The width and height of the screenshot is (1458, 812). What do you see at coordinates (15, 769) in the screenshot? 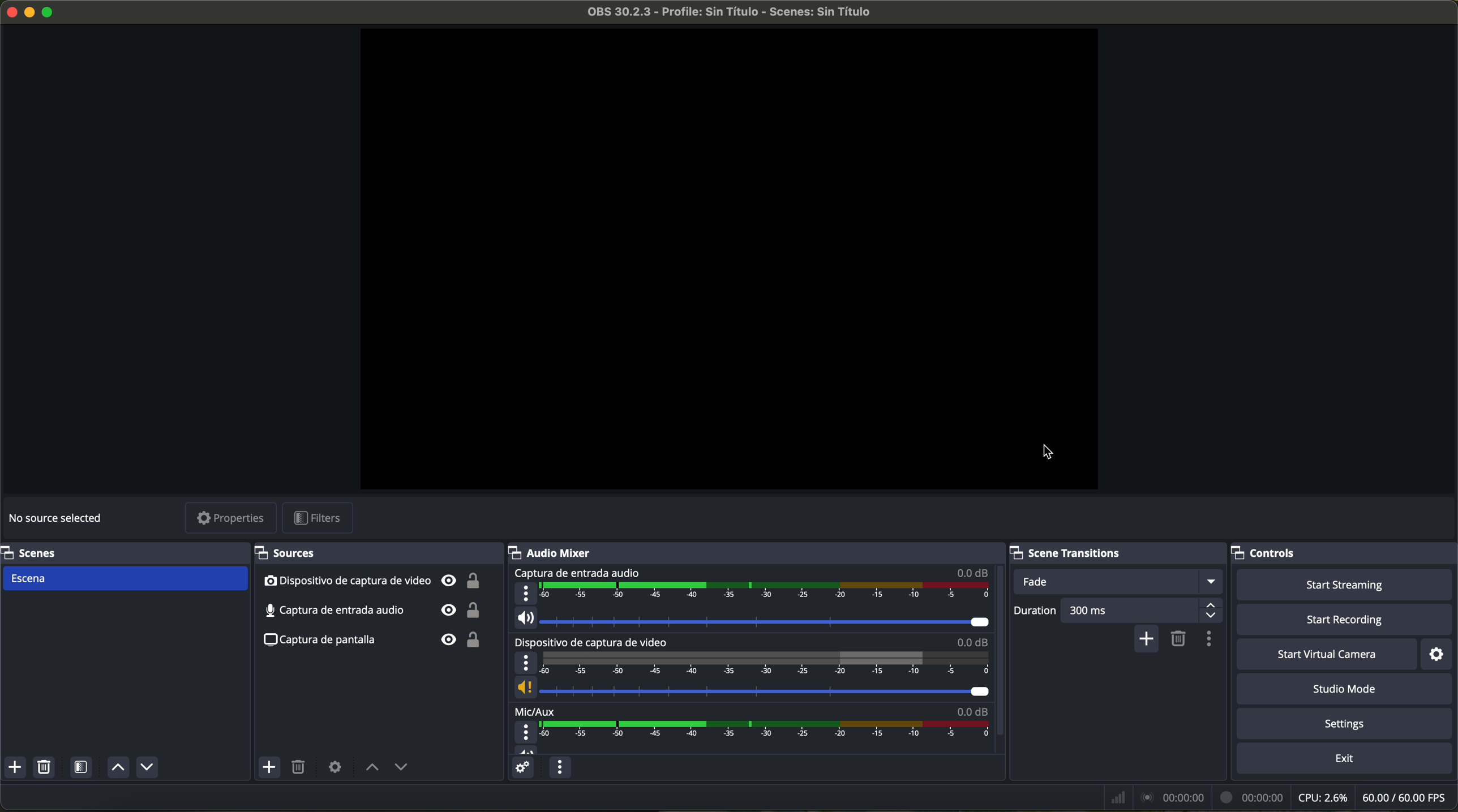
I see `add scene` at bounding box center [15, 769].